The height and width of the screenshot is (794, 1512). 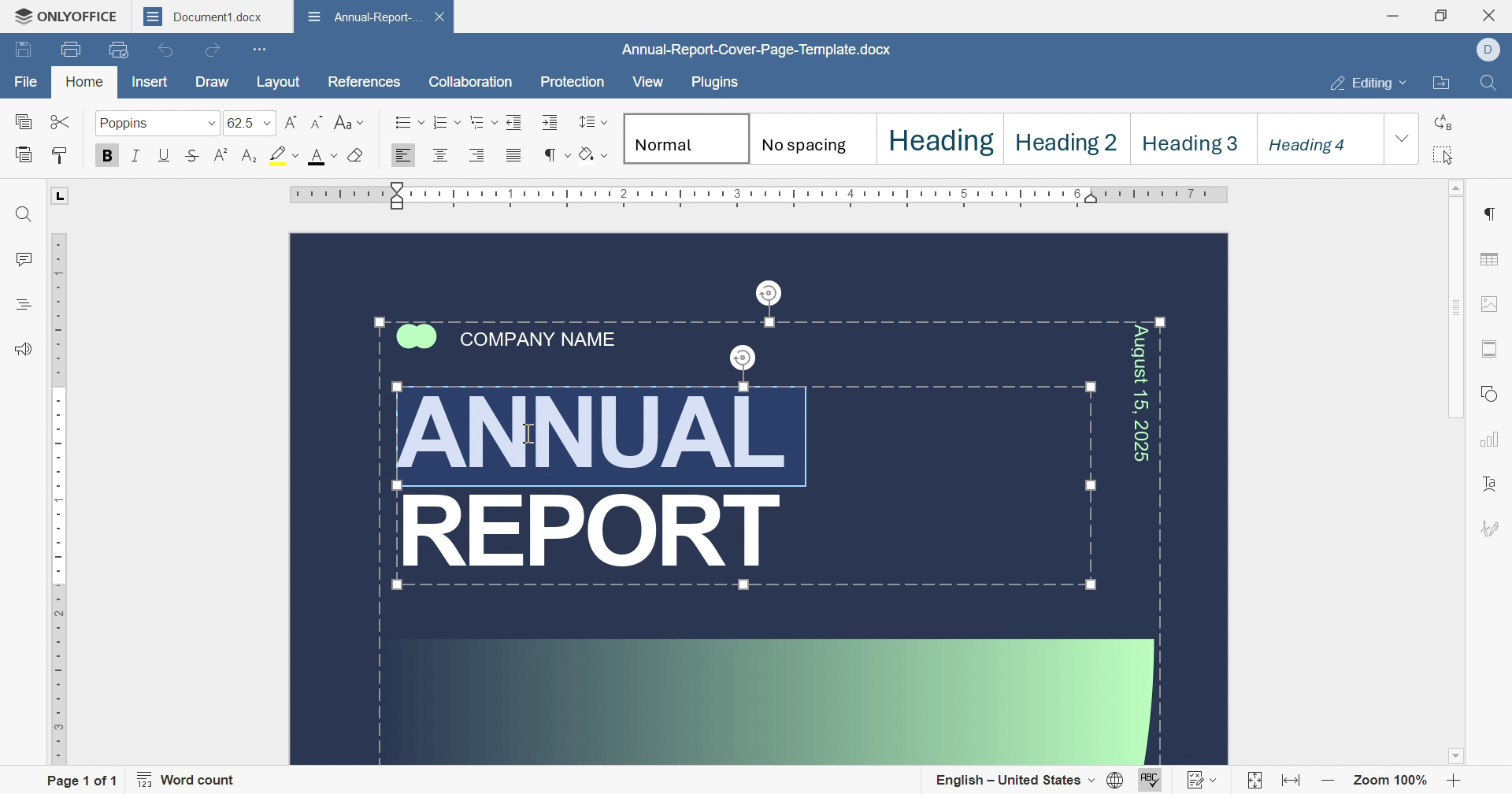 What do you see at coordinates (247, 157) in the screenshot?
I see `subscript` at bounding box center [247, 157].